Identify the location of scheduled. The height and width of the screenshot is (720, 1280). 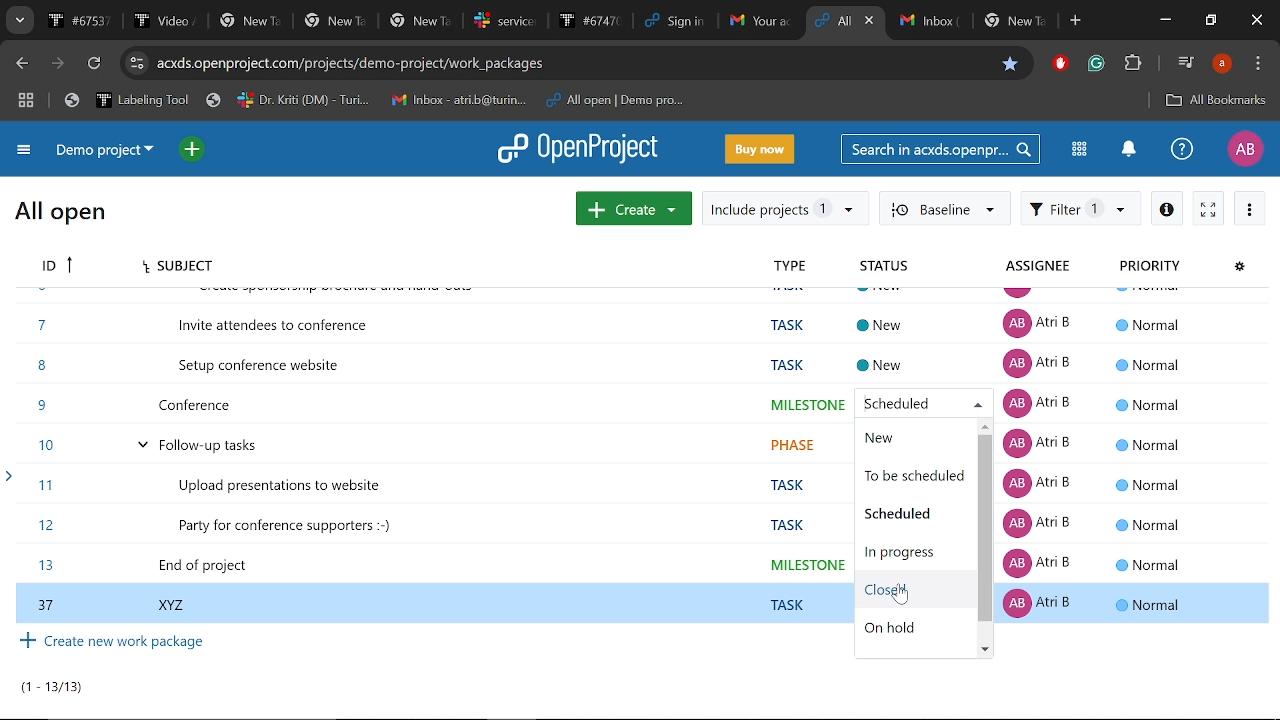
(896, 401).